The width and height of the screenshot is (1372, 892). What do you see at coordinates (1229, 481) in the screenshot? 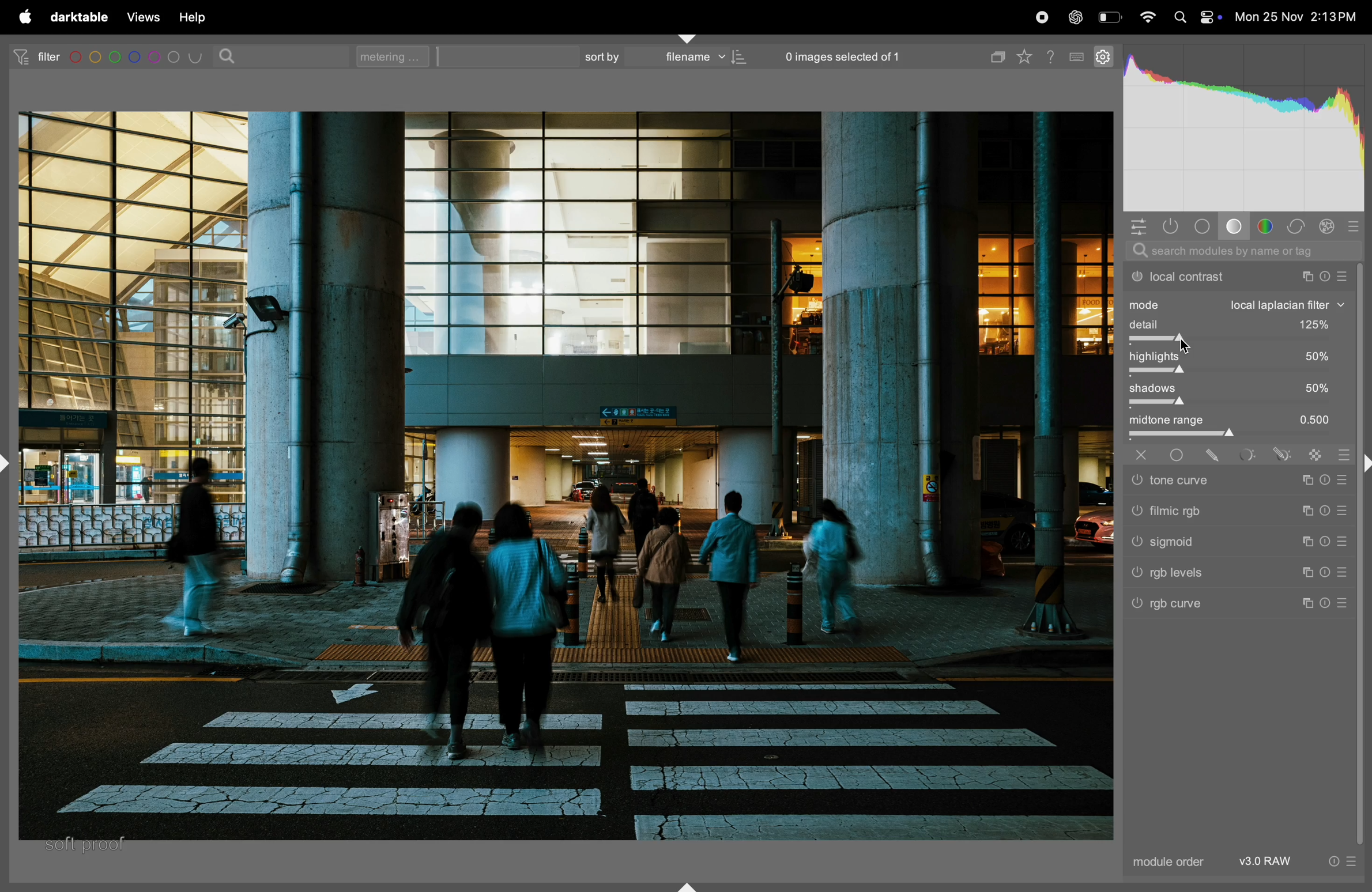
I see `tone curve` at bounding box center [1229, 481].